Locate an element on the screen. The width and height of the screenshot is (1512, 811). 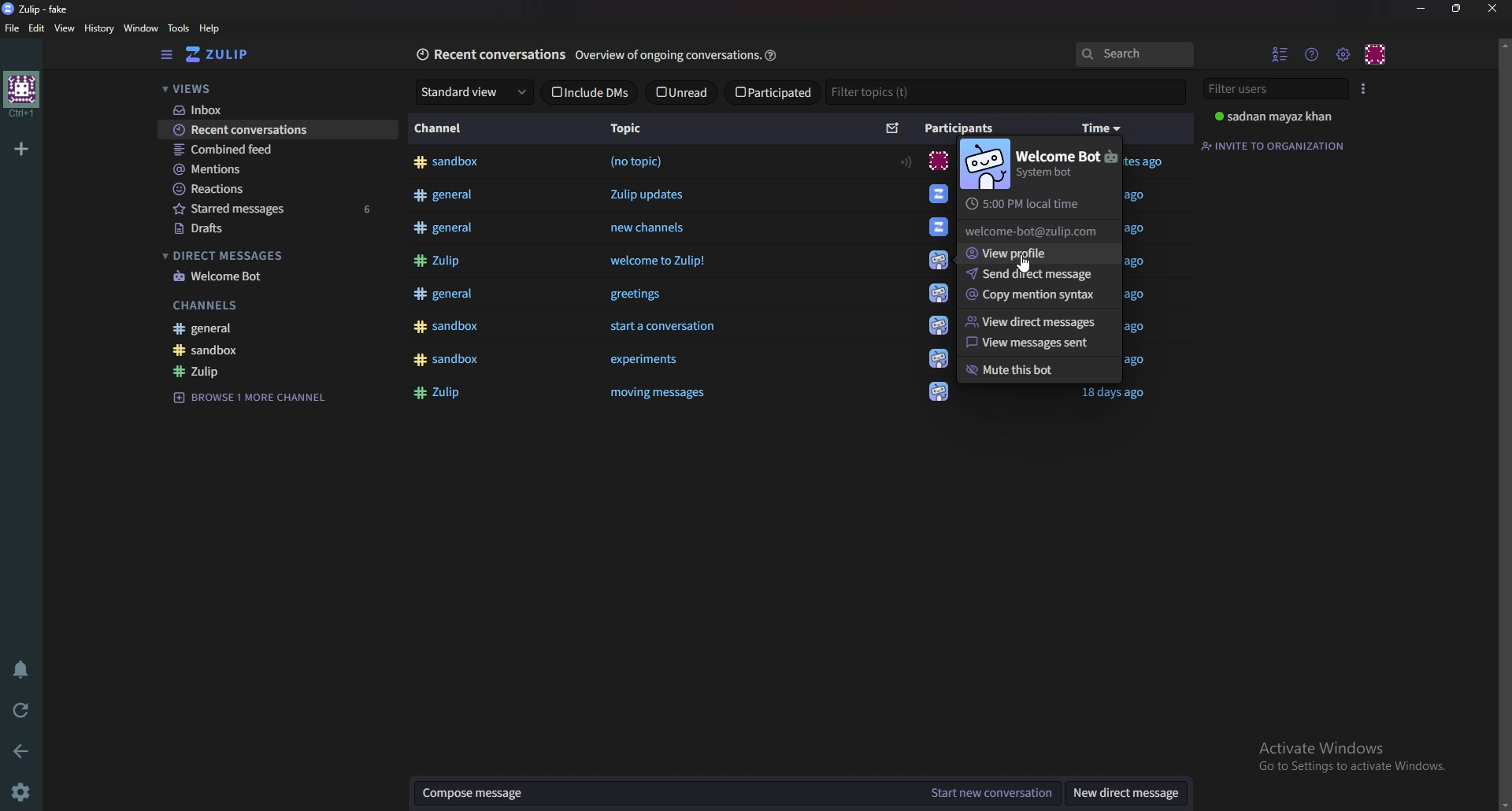
Sadnan mayaz khan is located at coordinates (1278, 117).